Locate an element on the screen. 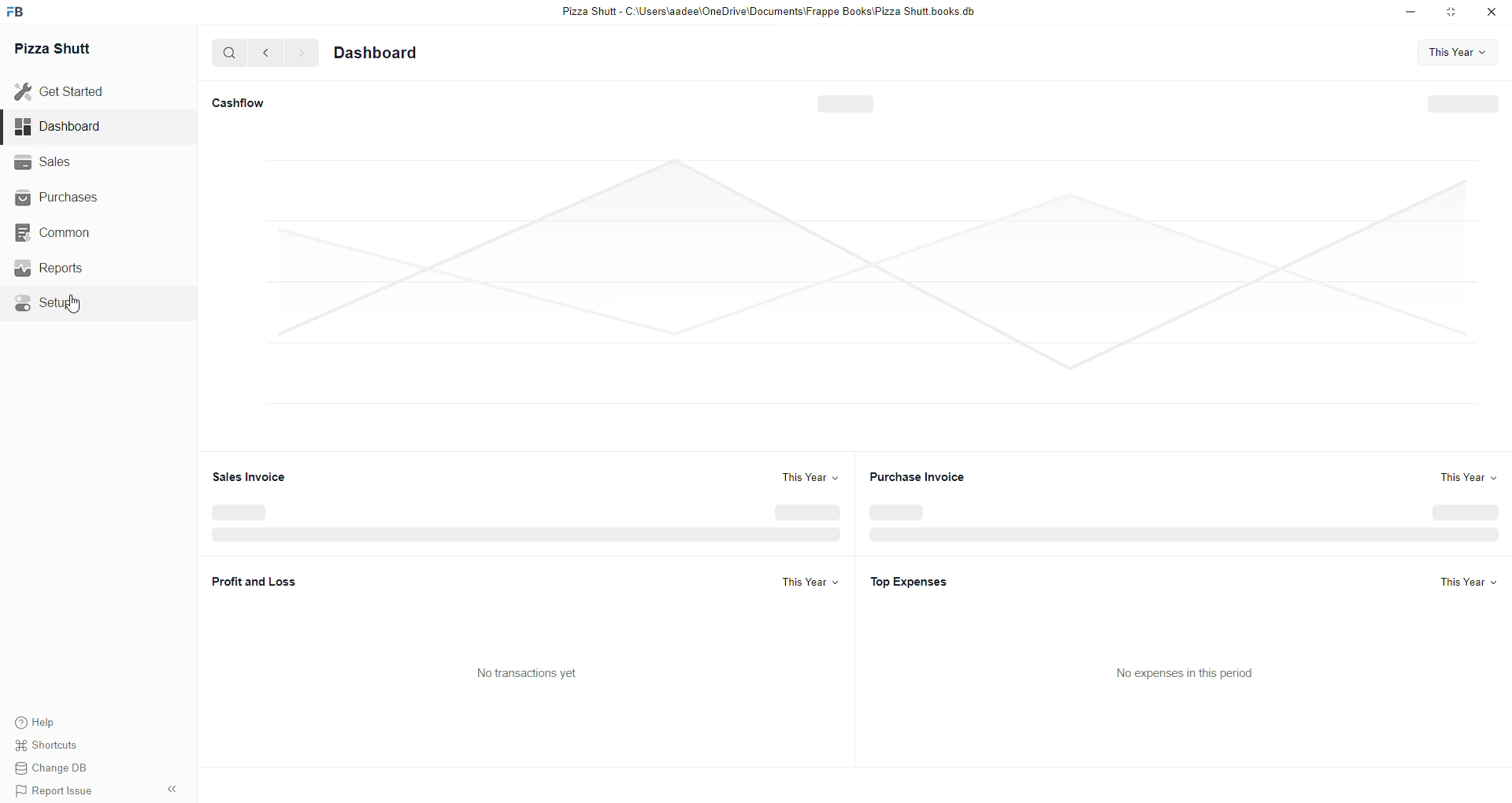  Reports is located at coordinates (69, 270).